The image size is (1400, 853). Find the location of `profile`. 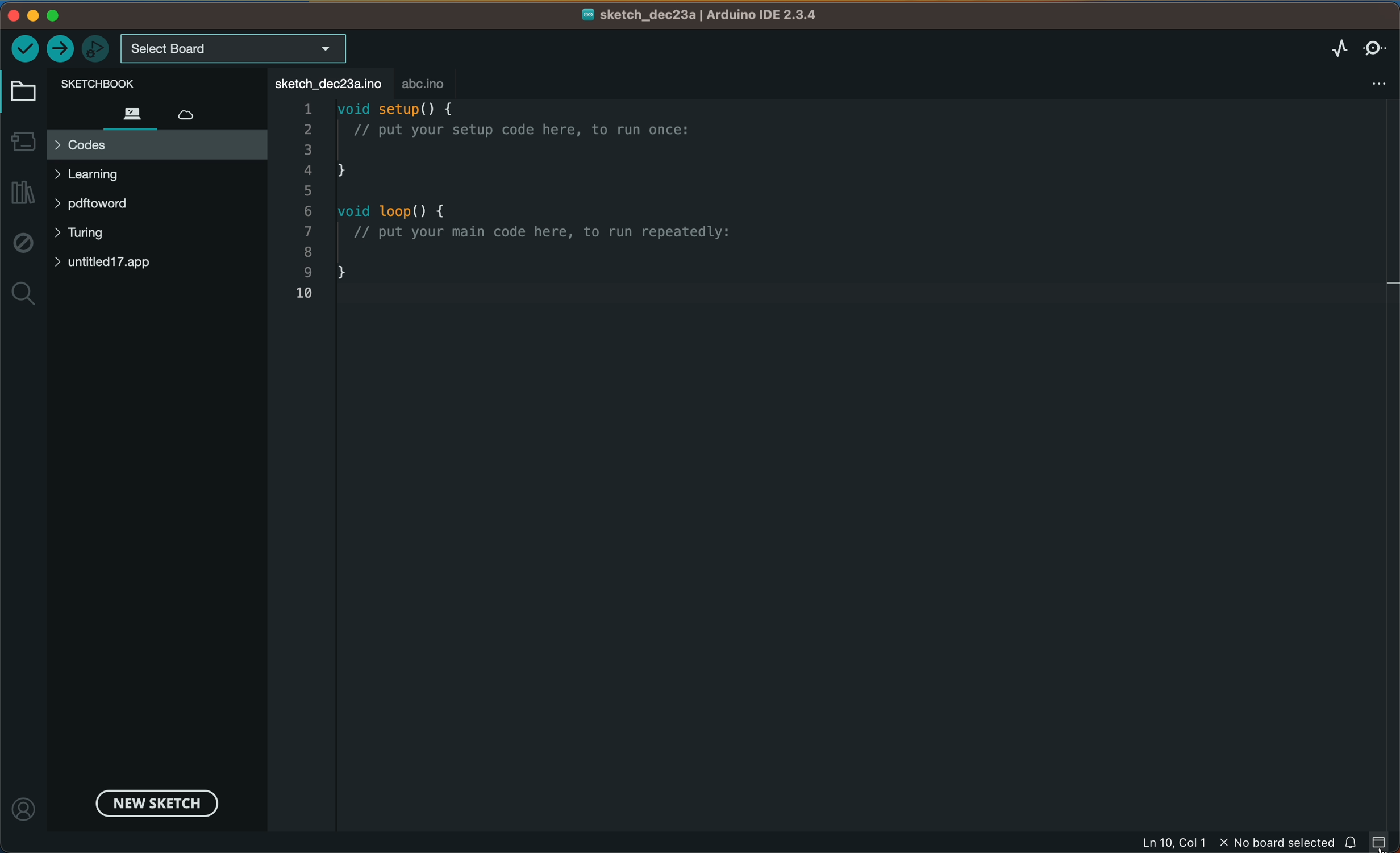

profile is located at coordinates (23, 804).